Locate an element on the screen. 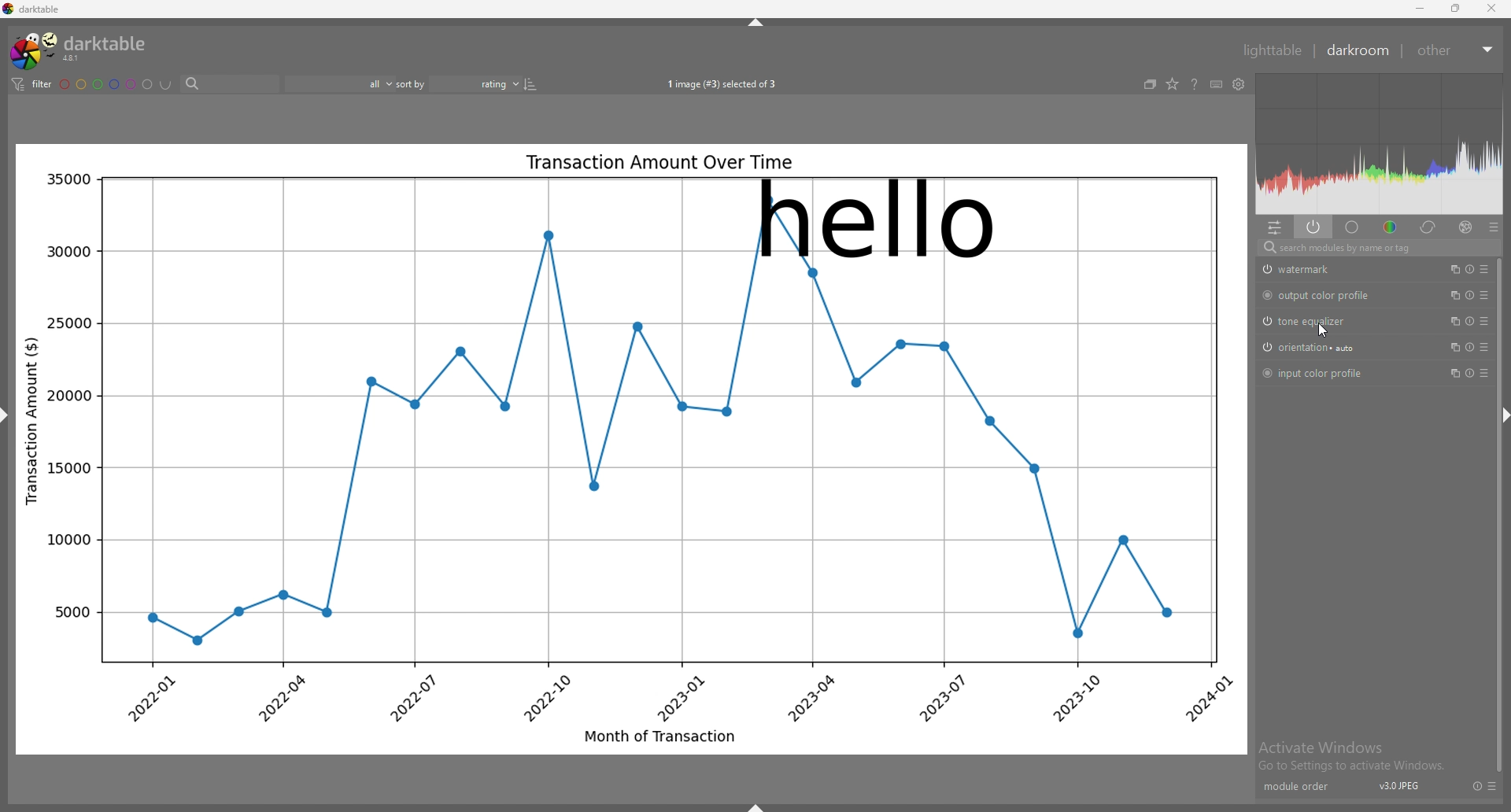  multiple instance actions, reset and presets is located at coordinates (1469, 321).